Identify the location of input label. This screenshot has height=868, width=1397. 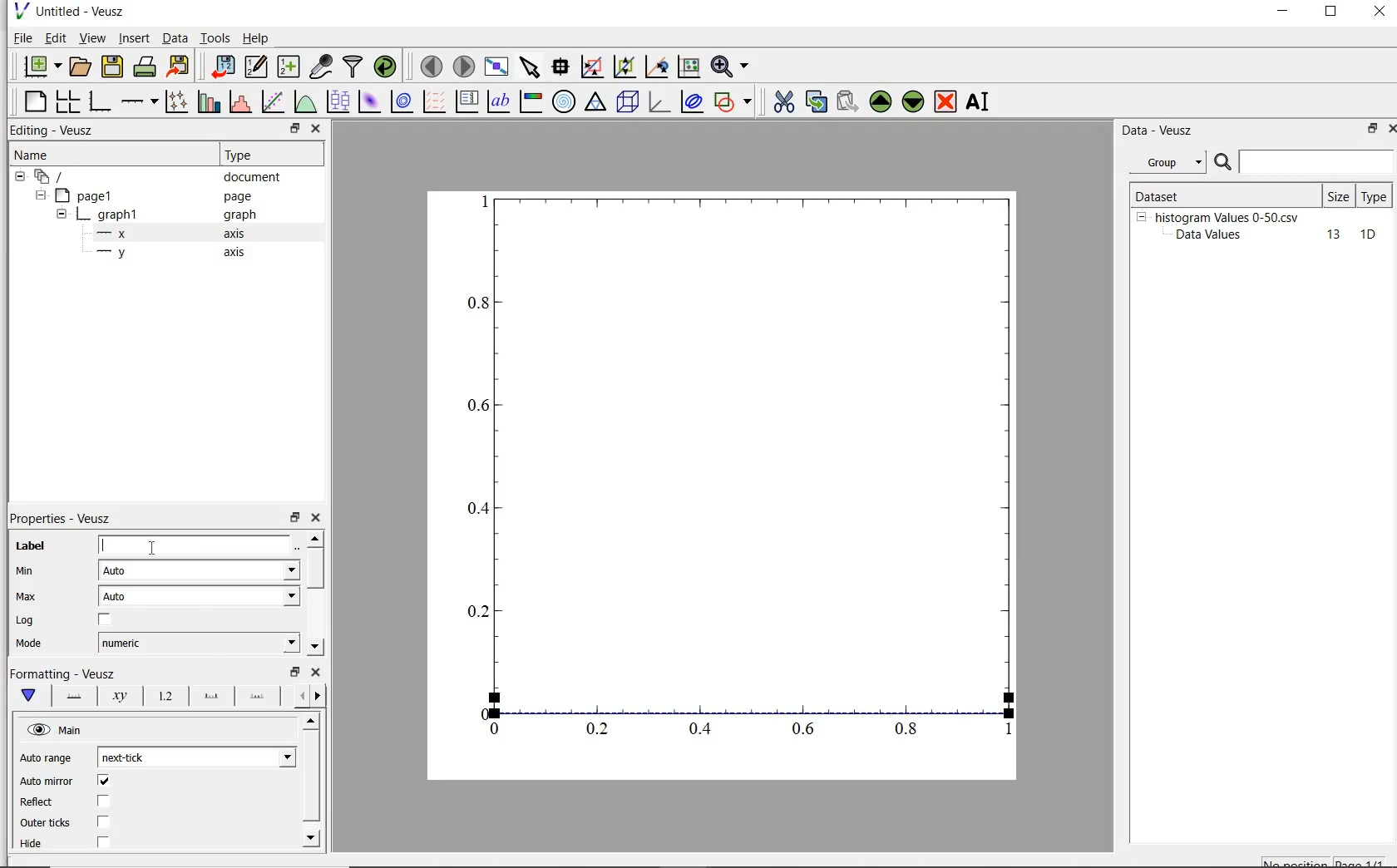
(194, 547).